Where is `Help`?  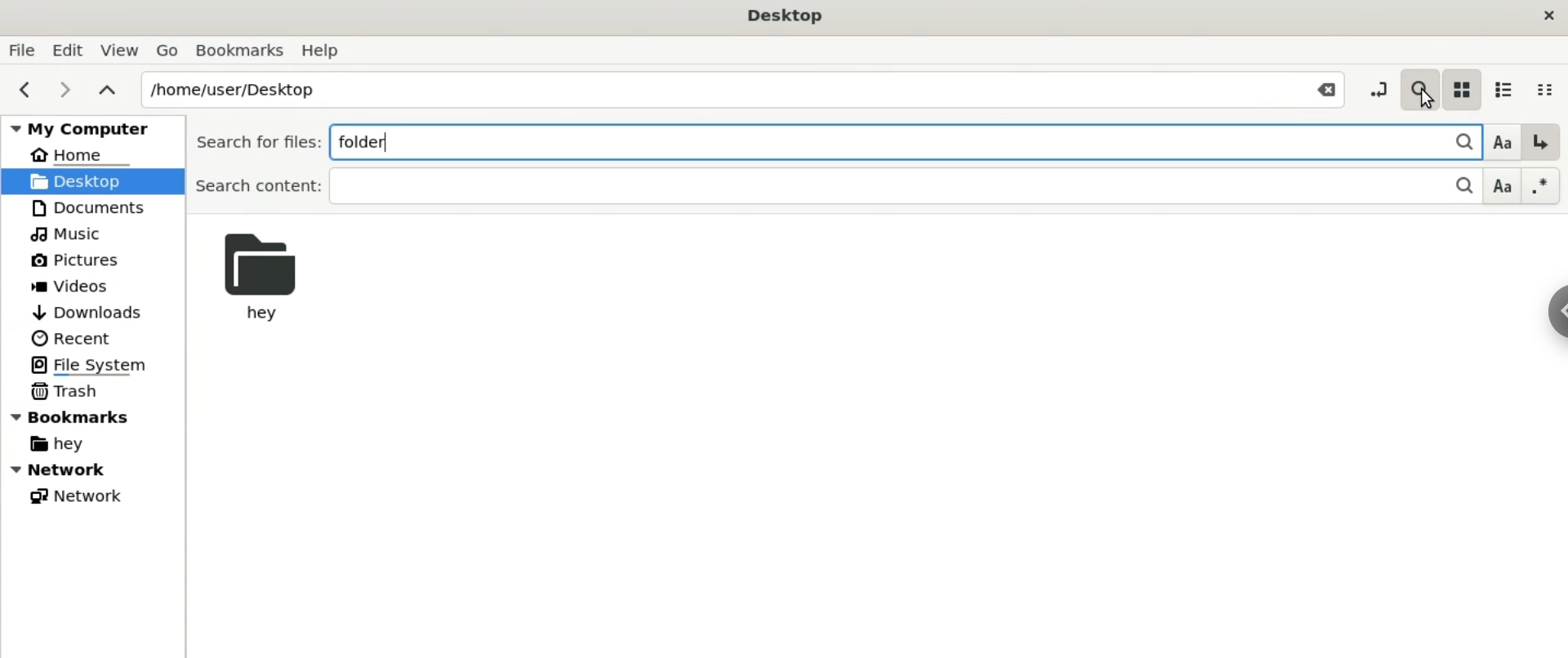 Help is located at coordinates (324, 49).